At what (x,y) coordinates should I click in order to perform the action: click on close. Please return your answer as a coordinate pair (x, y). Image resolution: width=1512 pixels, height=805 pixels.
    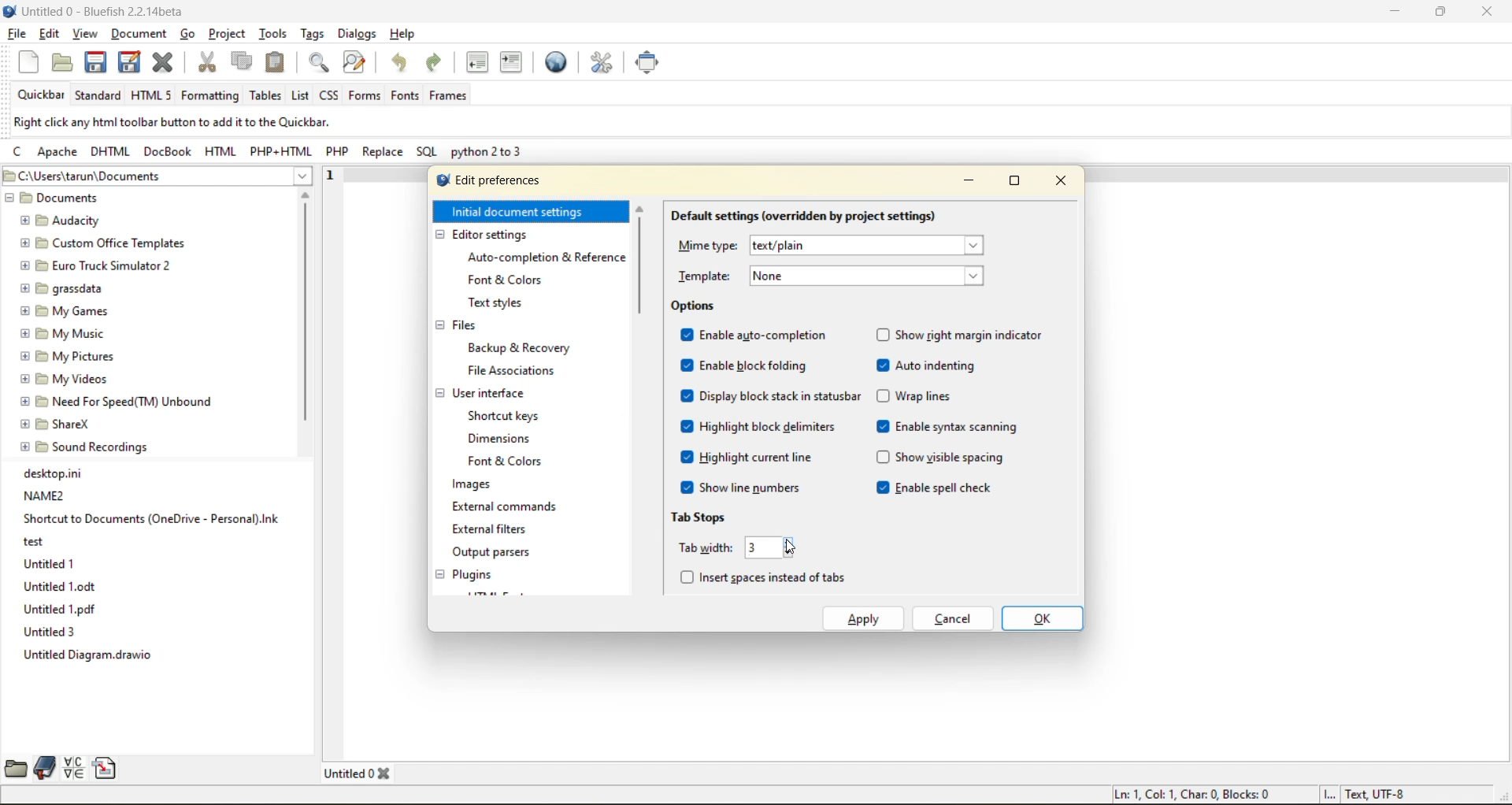
    Looking at the image, I should click on (1063, 181).